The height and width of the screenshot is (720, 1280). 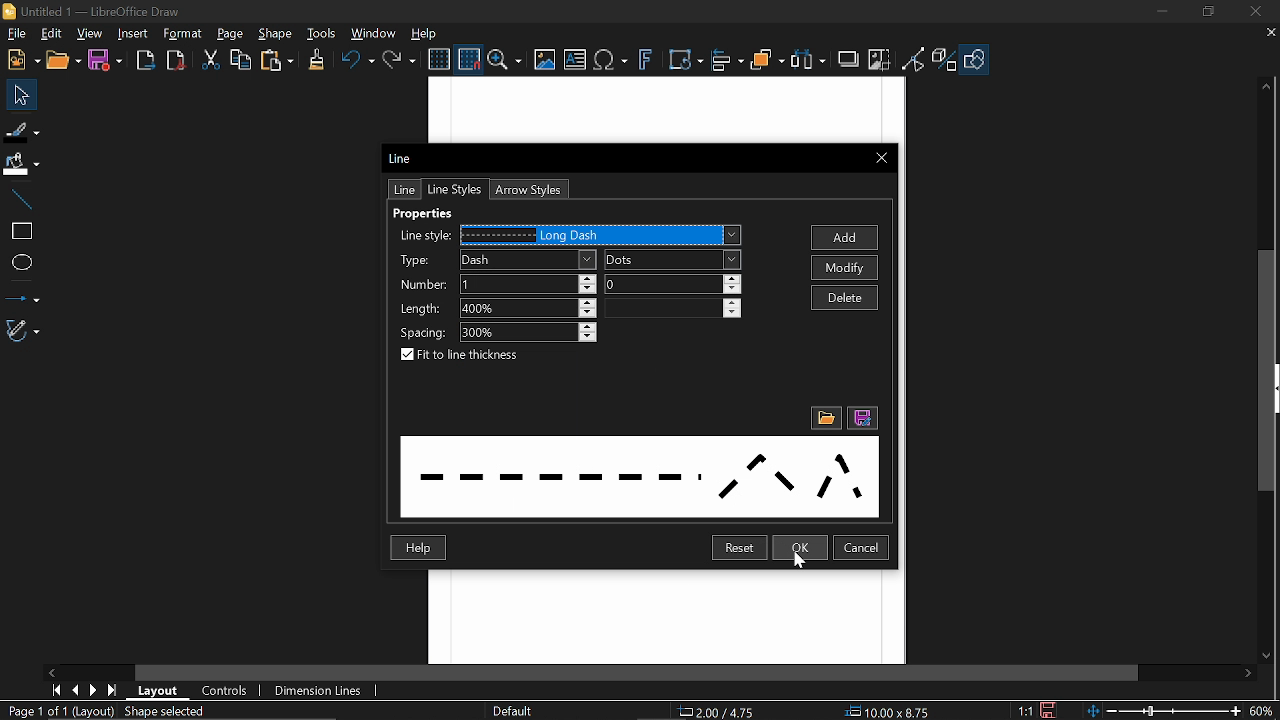 I want to click on Layout, so click(x=162, y=691).